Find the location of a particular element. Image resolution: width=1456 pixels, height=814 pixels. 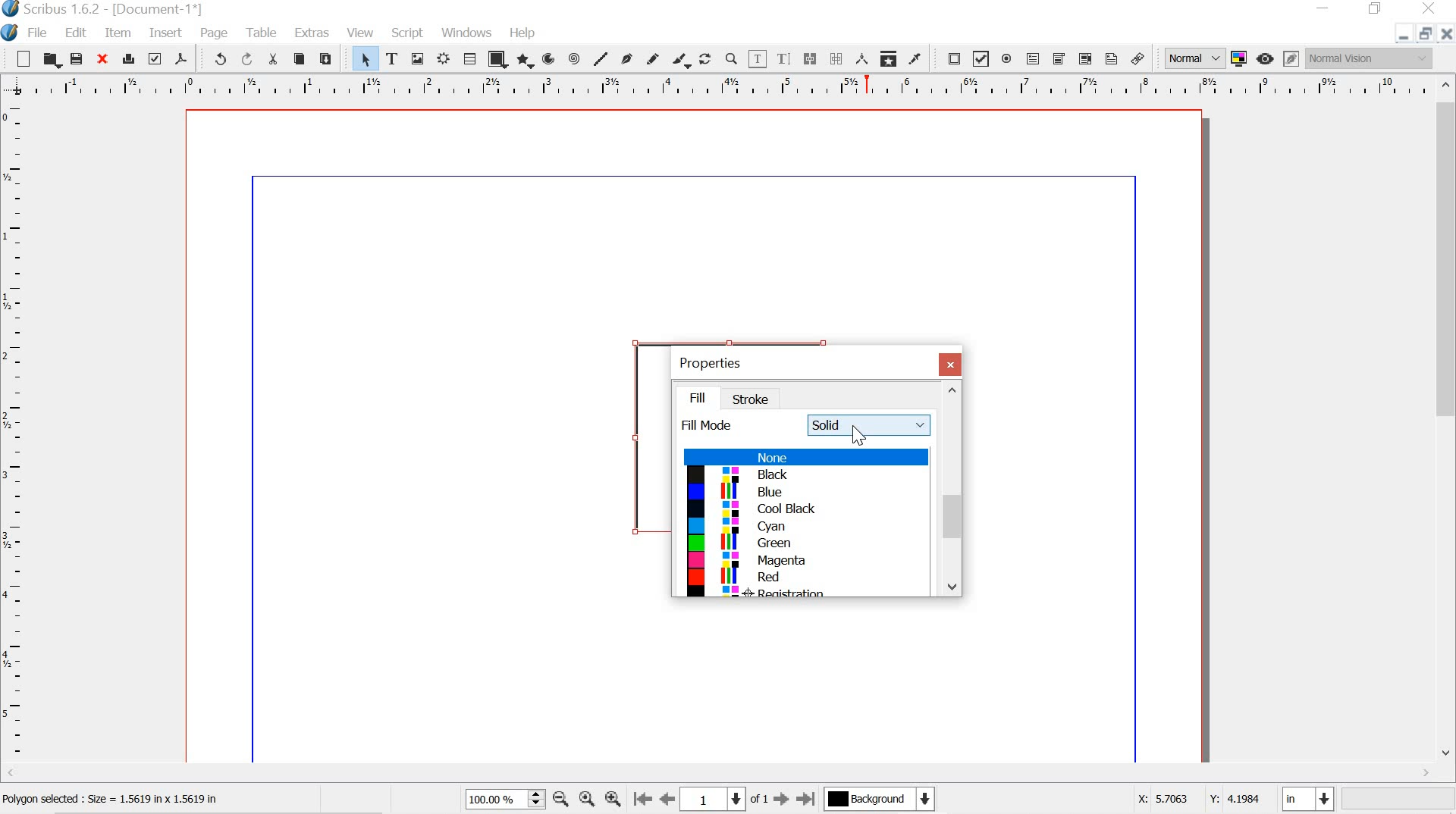

paste is located at coordinates (331, 59).